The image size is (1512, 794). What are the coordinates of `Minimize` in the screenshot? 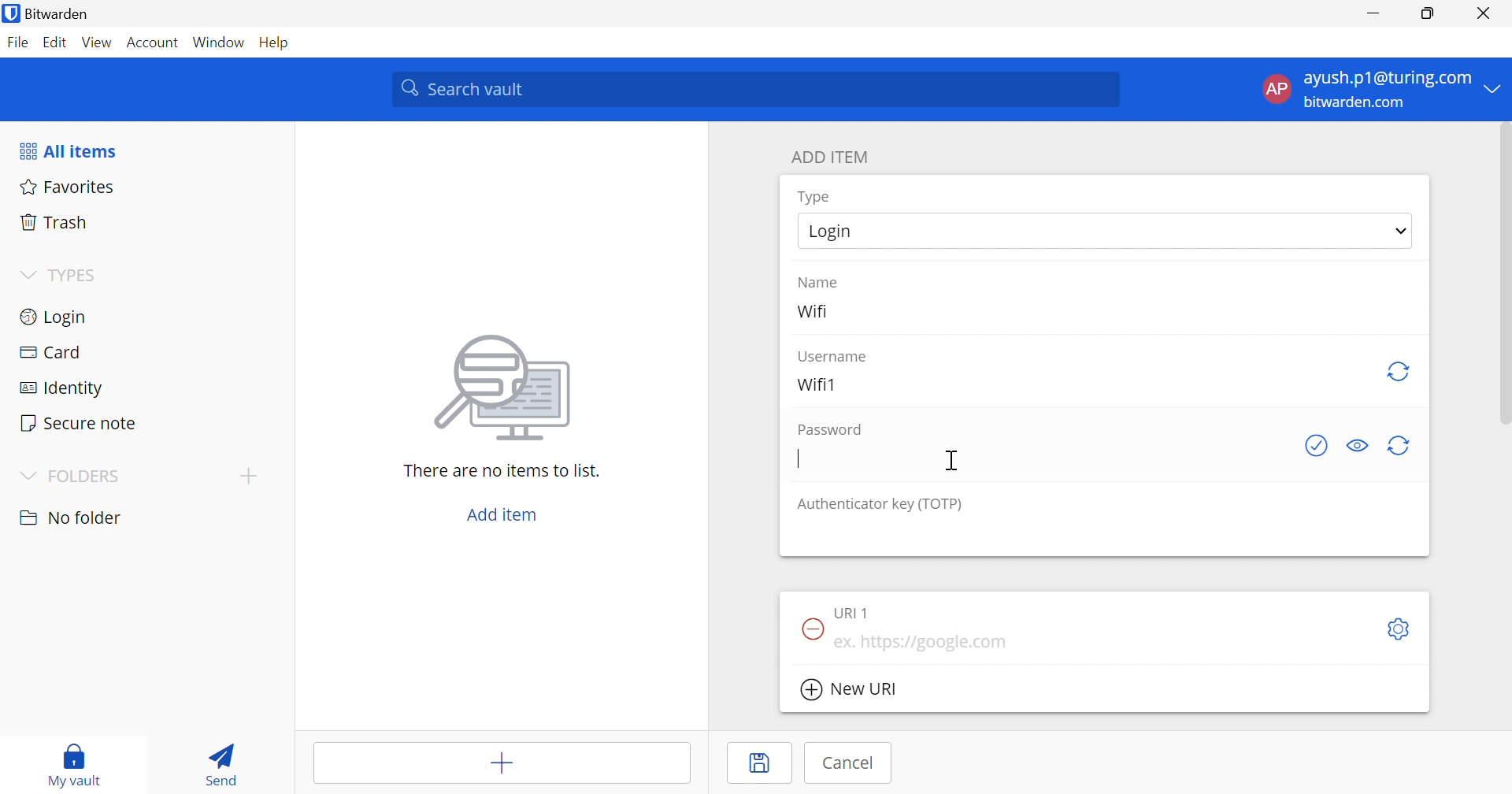 It's located at (1373, 14).